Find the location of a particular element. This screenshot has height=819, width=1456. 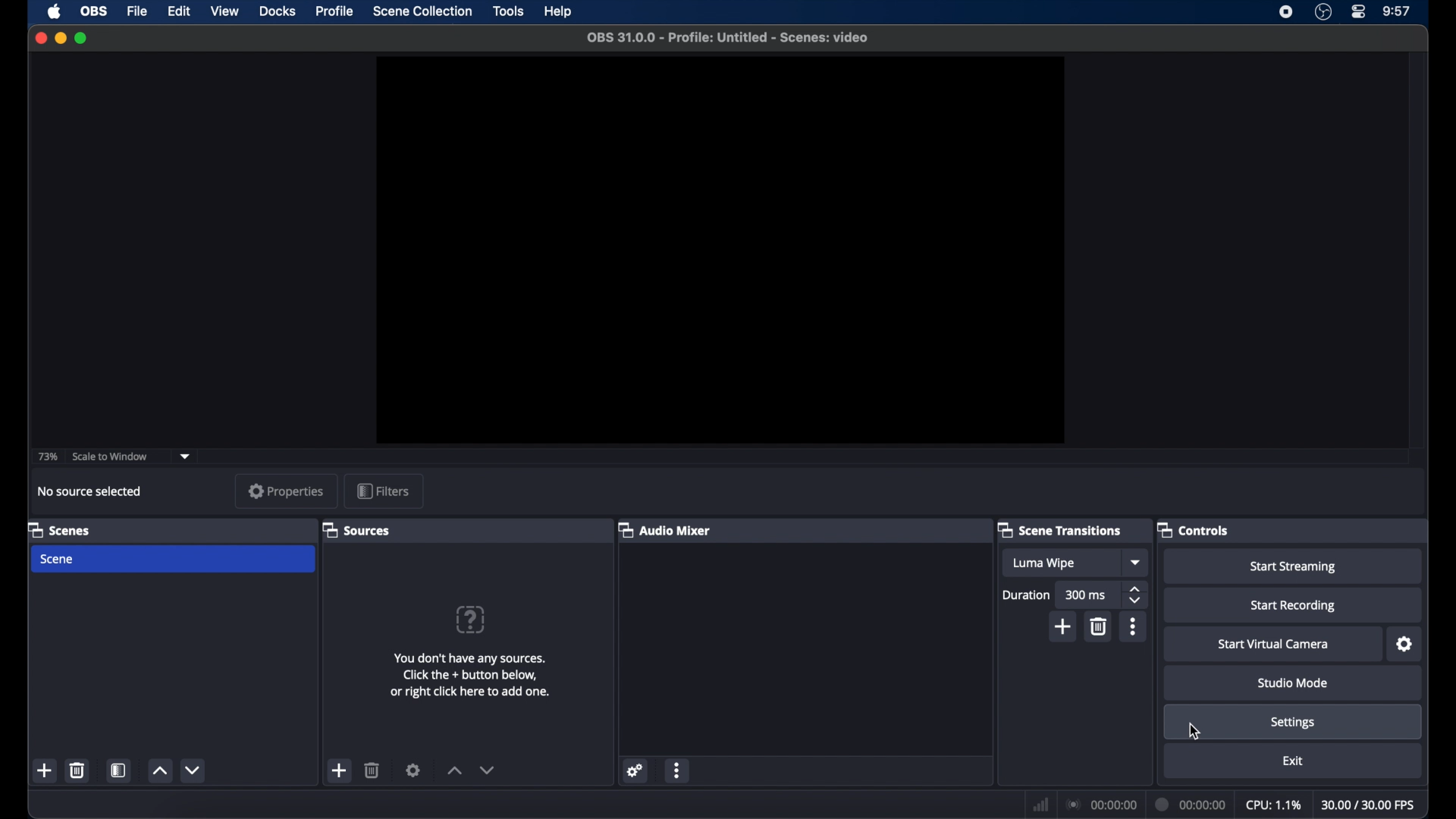

maximize is located at coordinates (80, 39).